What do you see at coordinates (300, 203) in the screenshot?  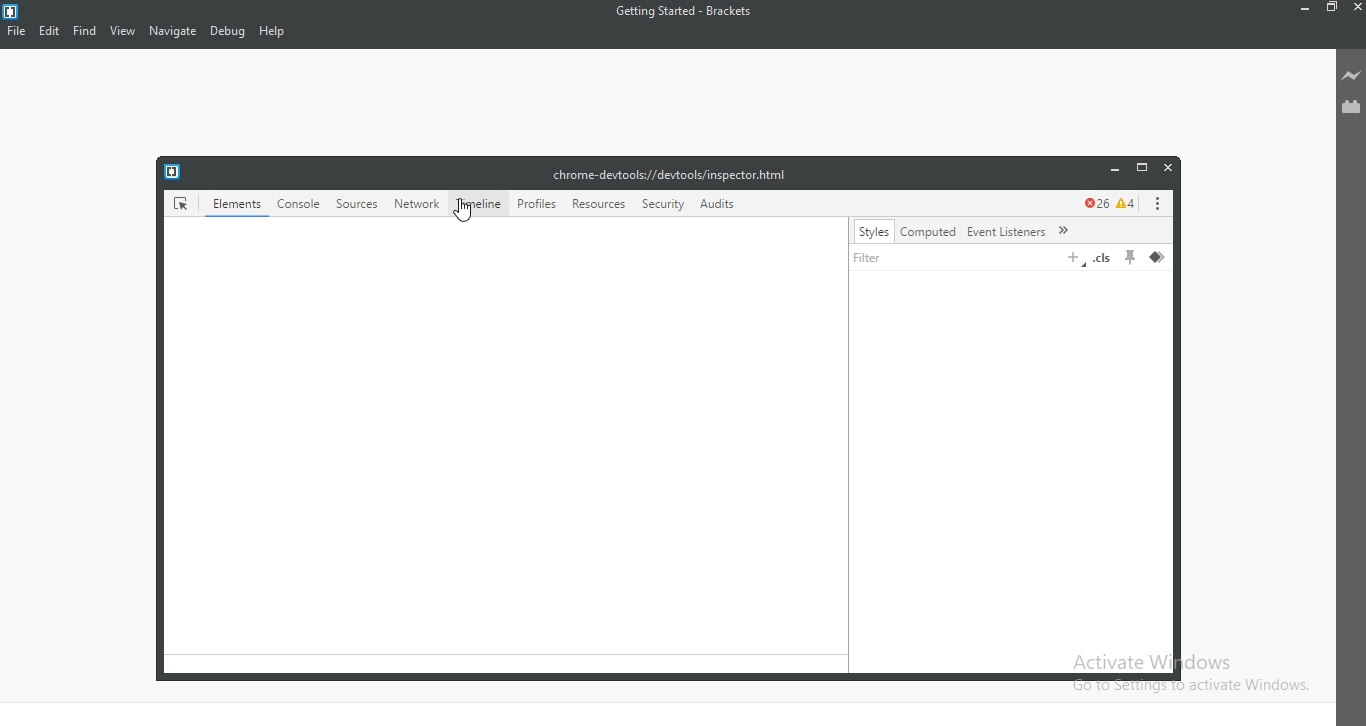 I see `console` at bounding box center [300, 203].